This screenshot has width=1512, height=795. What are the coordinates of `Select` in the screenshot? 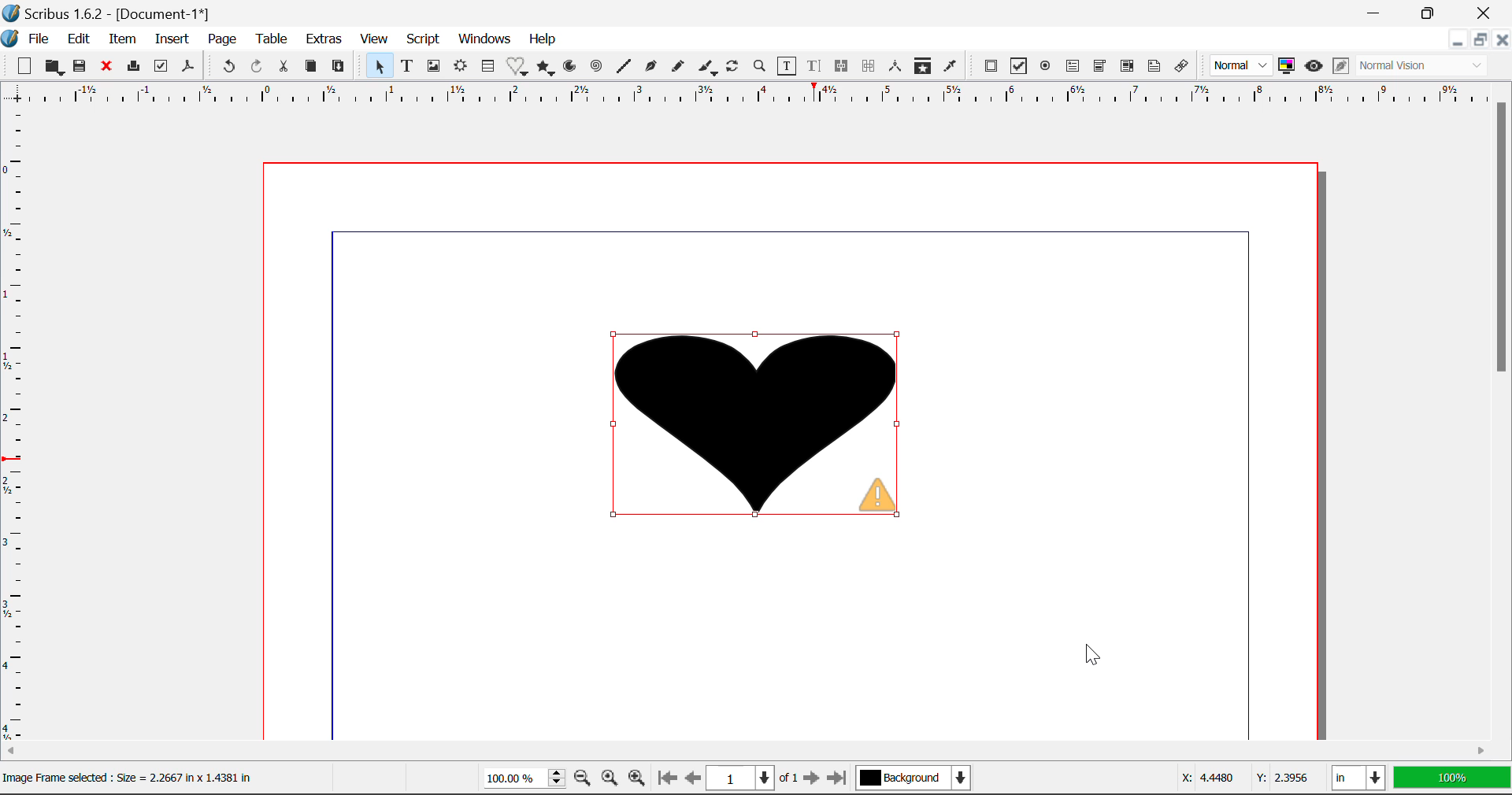 It's located at (379, 66).